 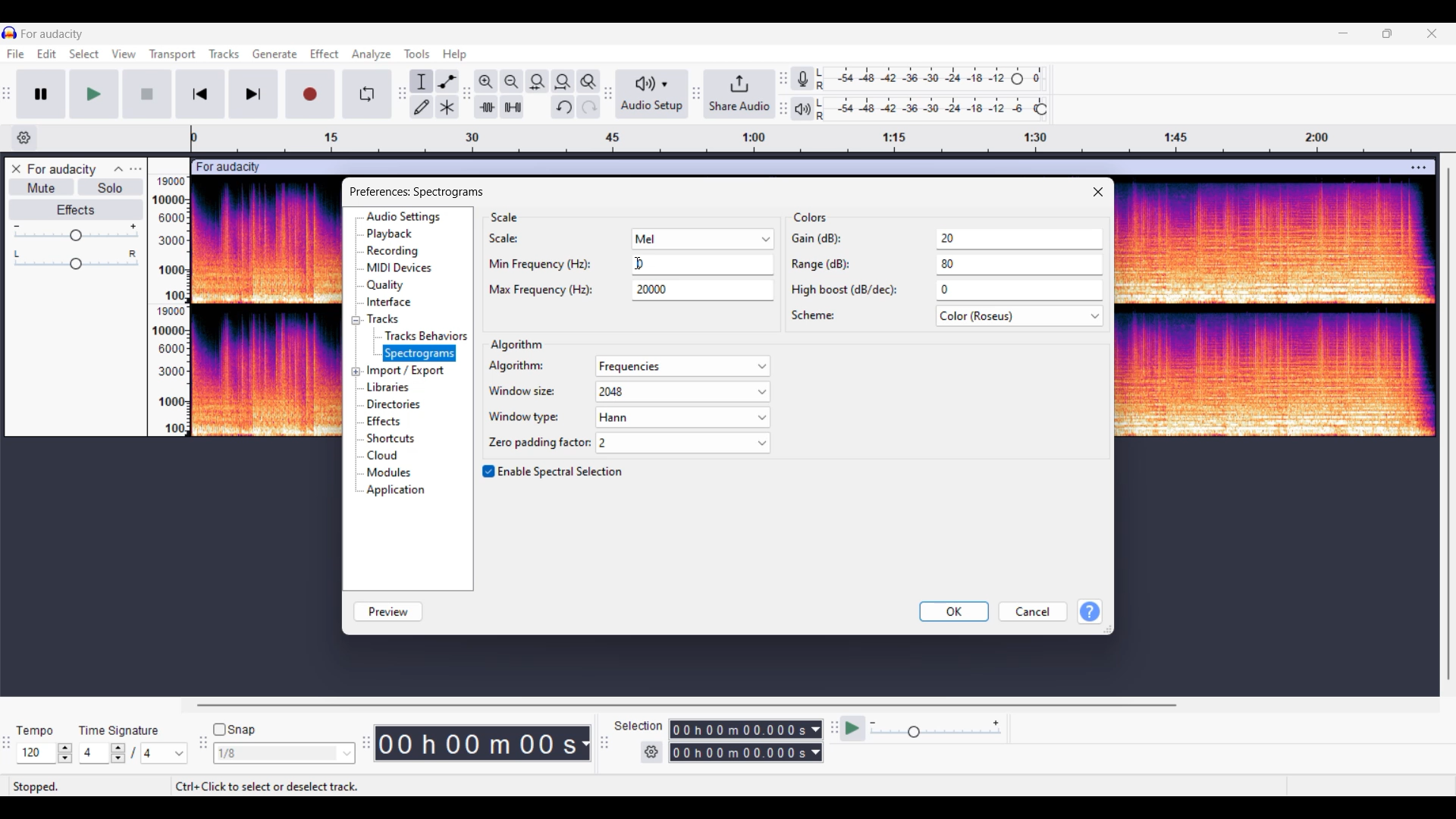 What do you see at coordinates (399, 406) in the screenshot?
I see `directories` at bounding box center [399, 406].